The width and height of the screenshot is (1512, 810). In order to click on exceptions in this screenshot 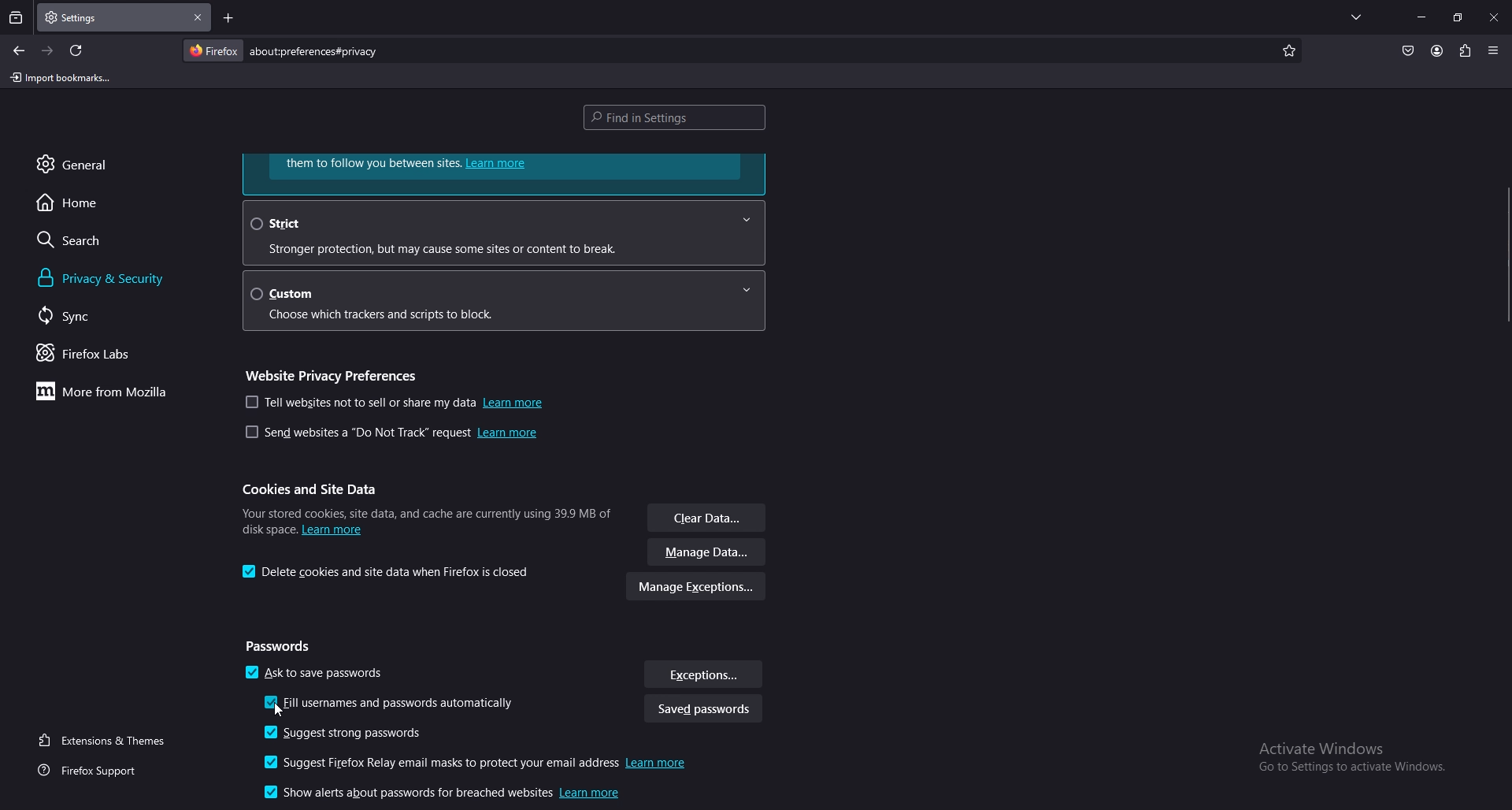, I will do `click(703, 674)`.